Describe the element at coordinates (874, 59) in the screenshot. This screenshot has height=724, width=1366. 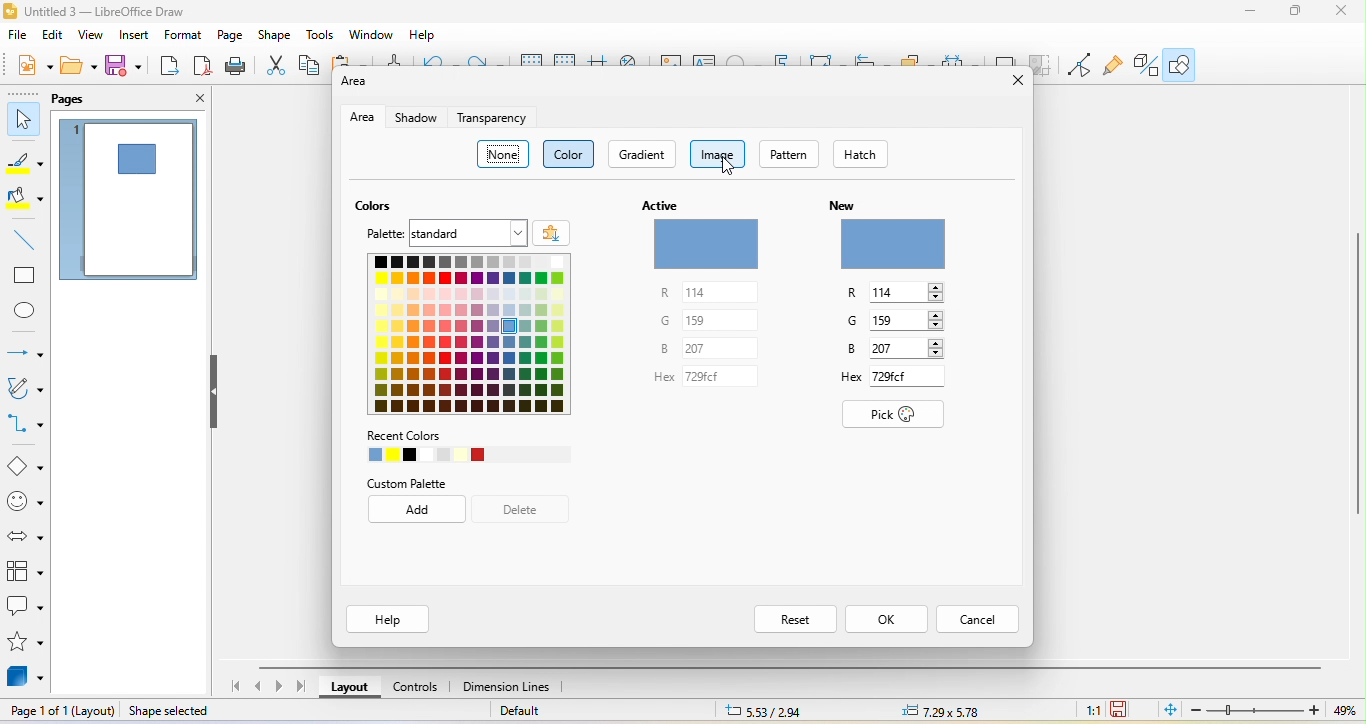
I see `align object` at that location.